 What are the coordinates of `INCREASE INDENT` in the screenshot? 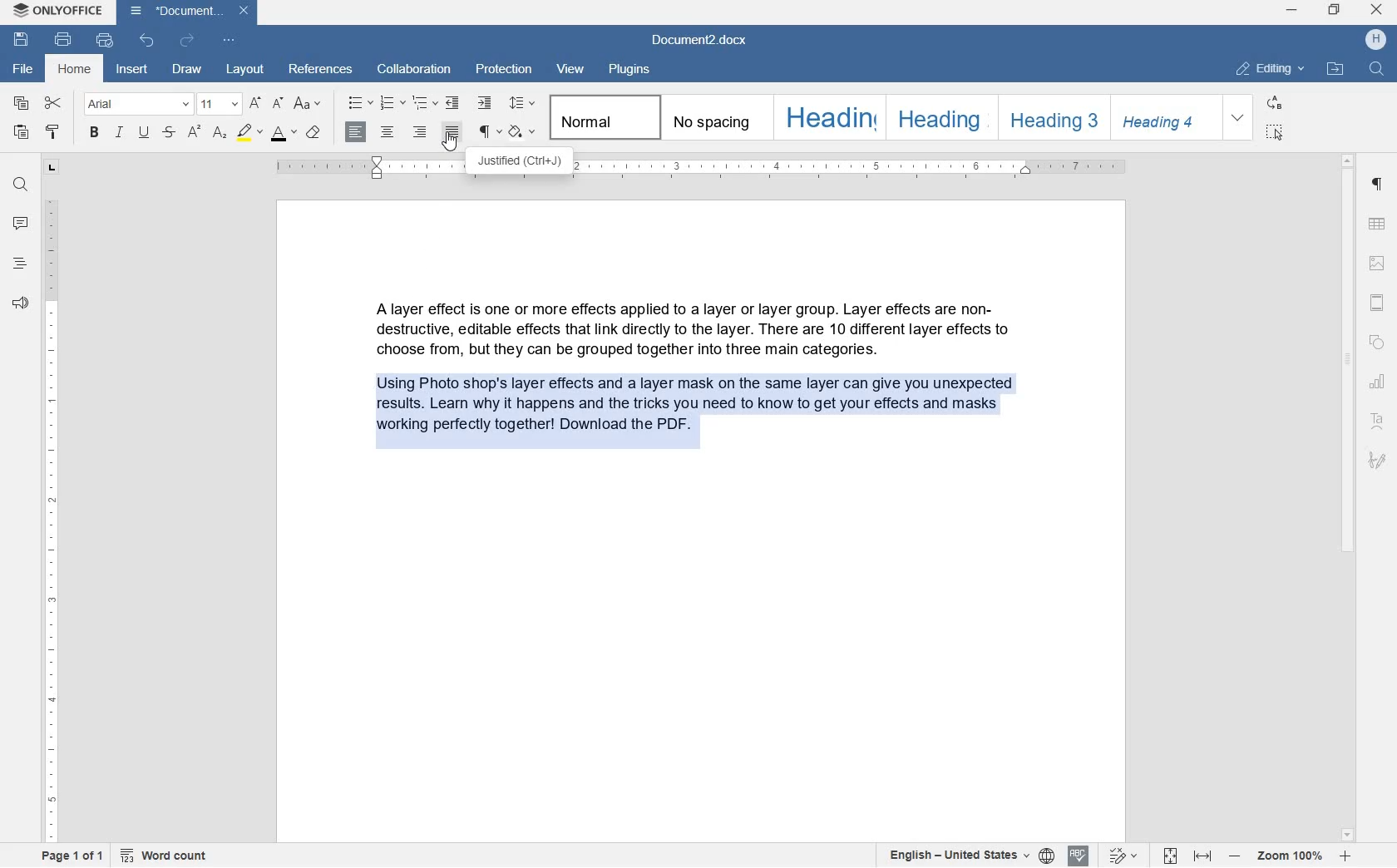 It's located at (484, 104).